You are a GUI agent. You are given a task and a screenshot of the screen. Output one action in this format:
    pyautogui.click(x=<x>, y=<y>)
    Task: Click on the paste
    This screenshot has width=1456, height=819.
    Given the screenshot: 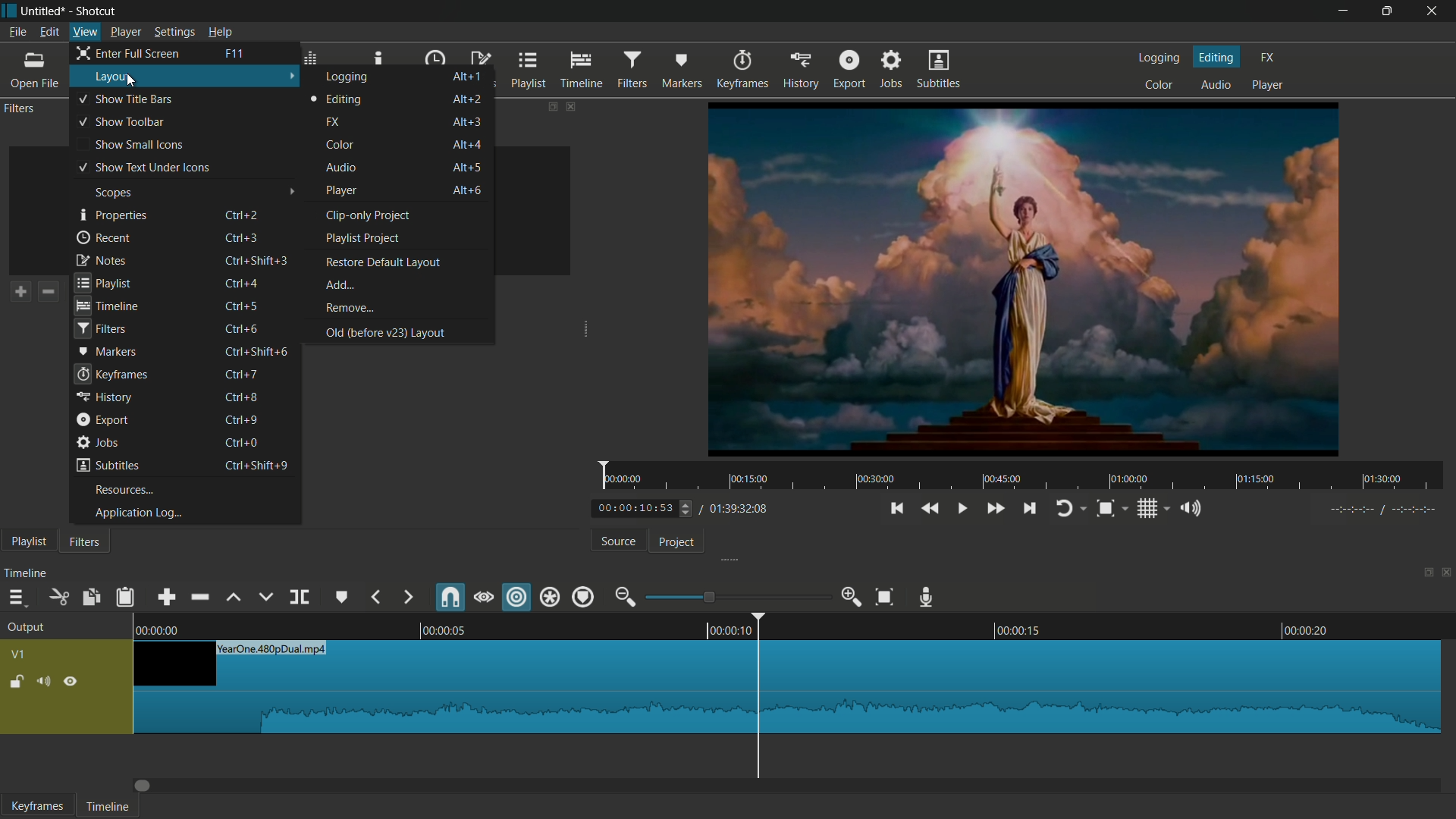 What is the action you would take?
    pyautogui.click(x=124, y=596)
    